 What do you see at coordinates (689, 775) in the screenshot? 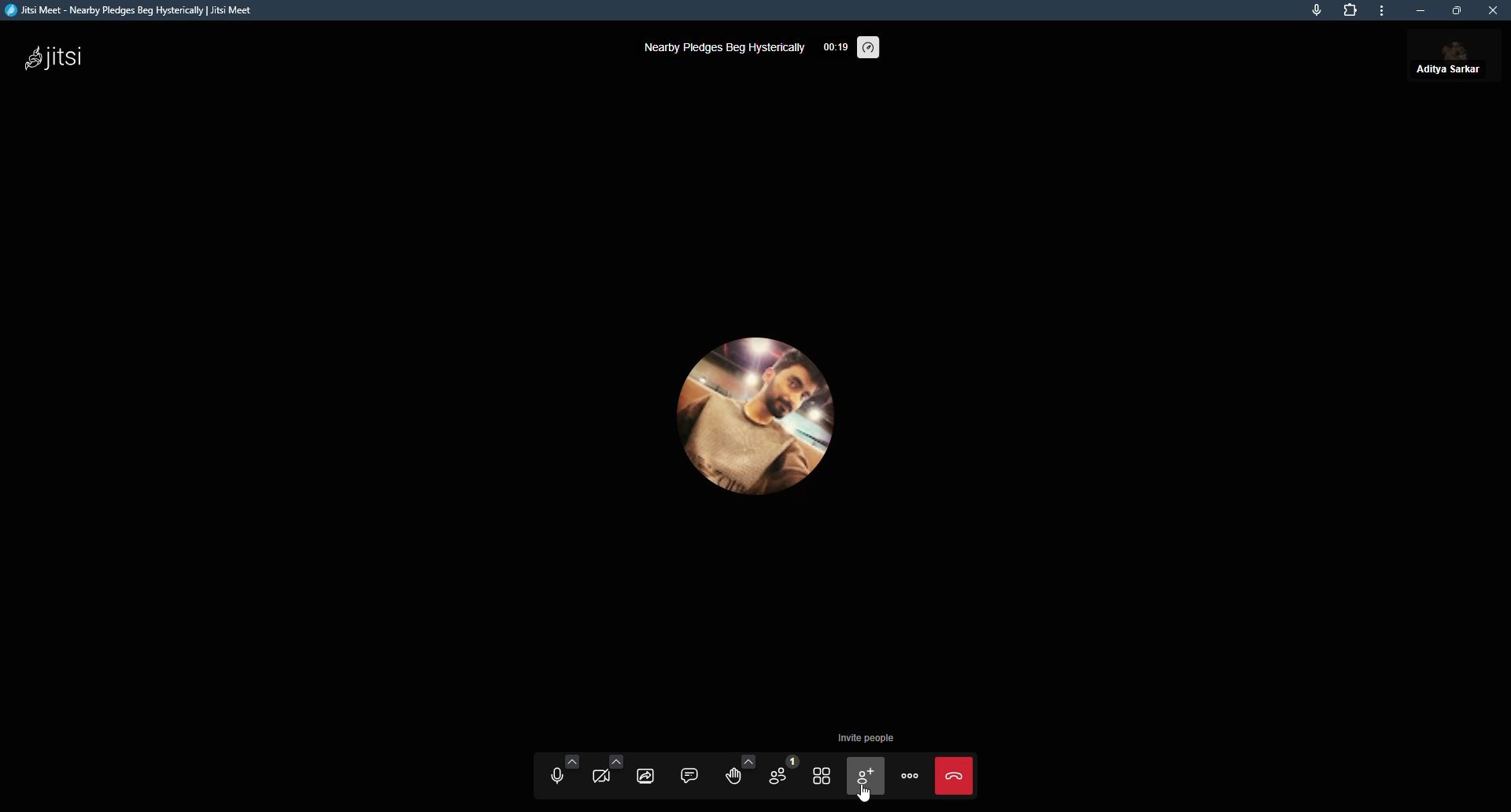
I see `chat` at bounding box center [689, 775].